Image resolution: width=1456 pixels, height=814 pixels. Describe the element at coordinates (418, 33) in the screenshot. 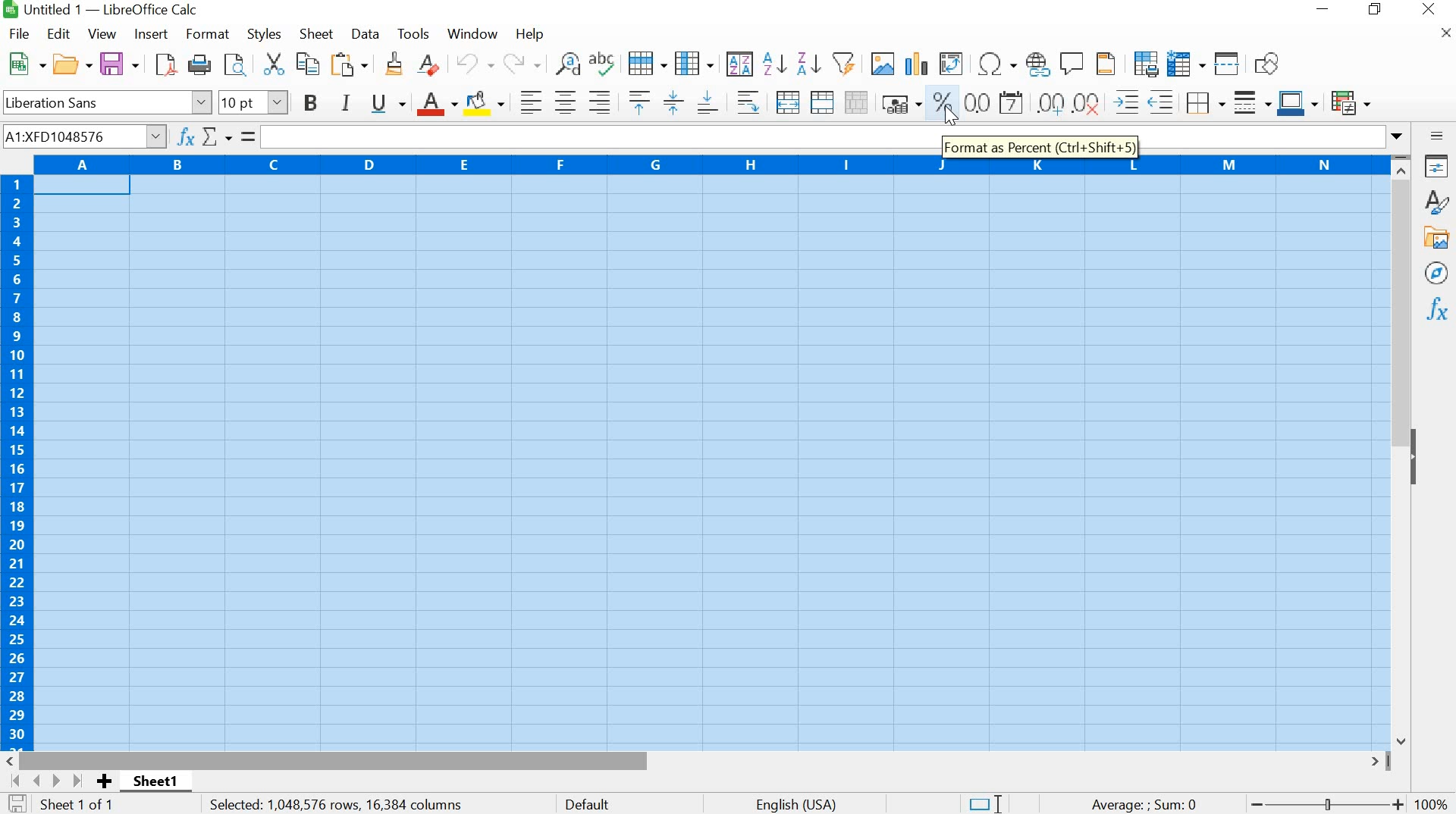

I see `TOOLS` at that location.